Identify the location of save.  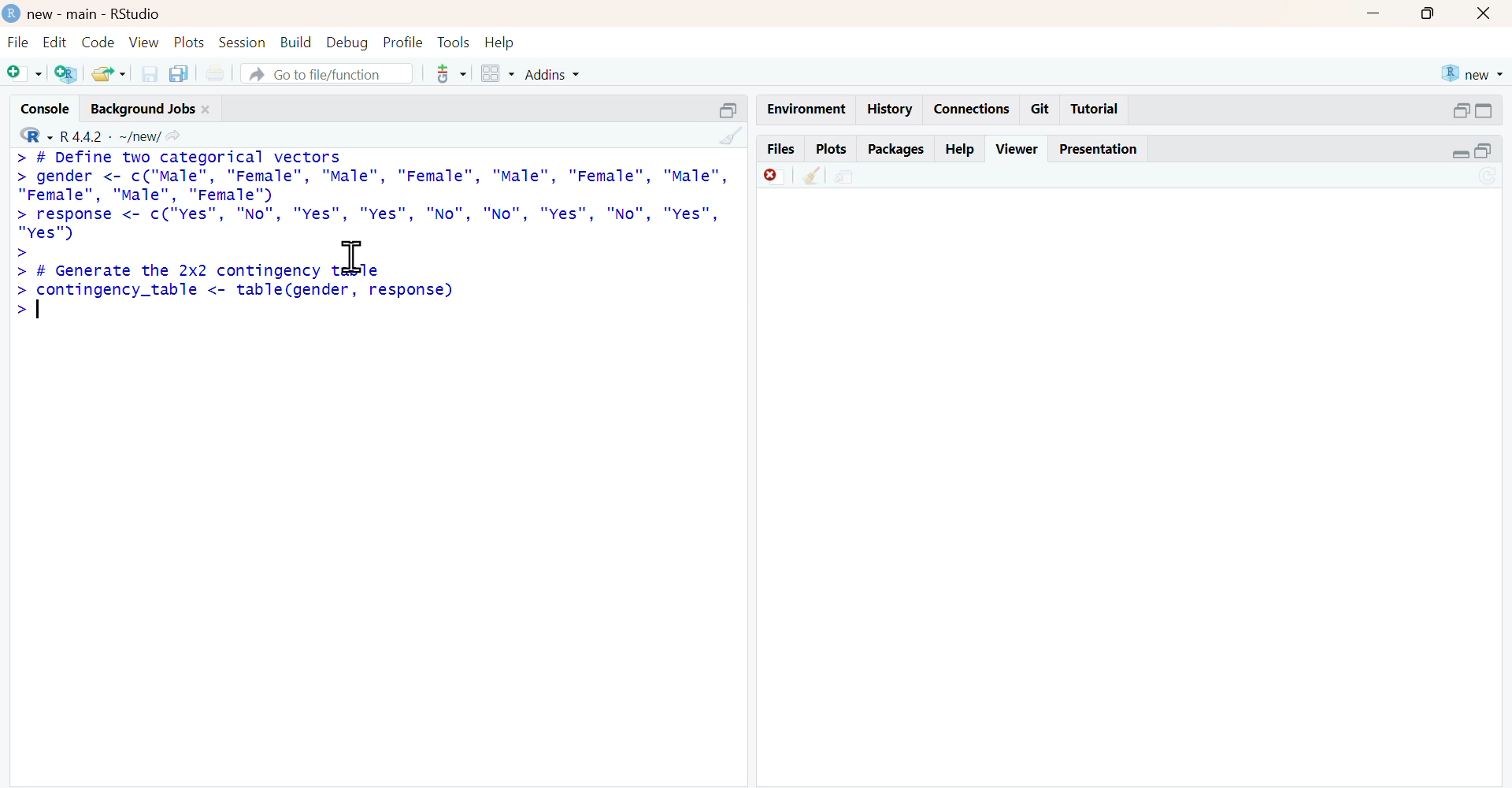
(150, 74).